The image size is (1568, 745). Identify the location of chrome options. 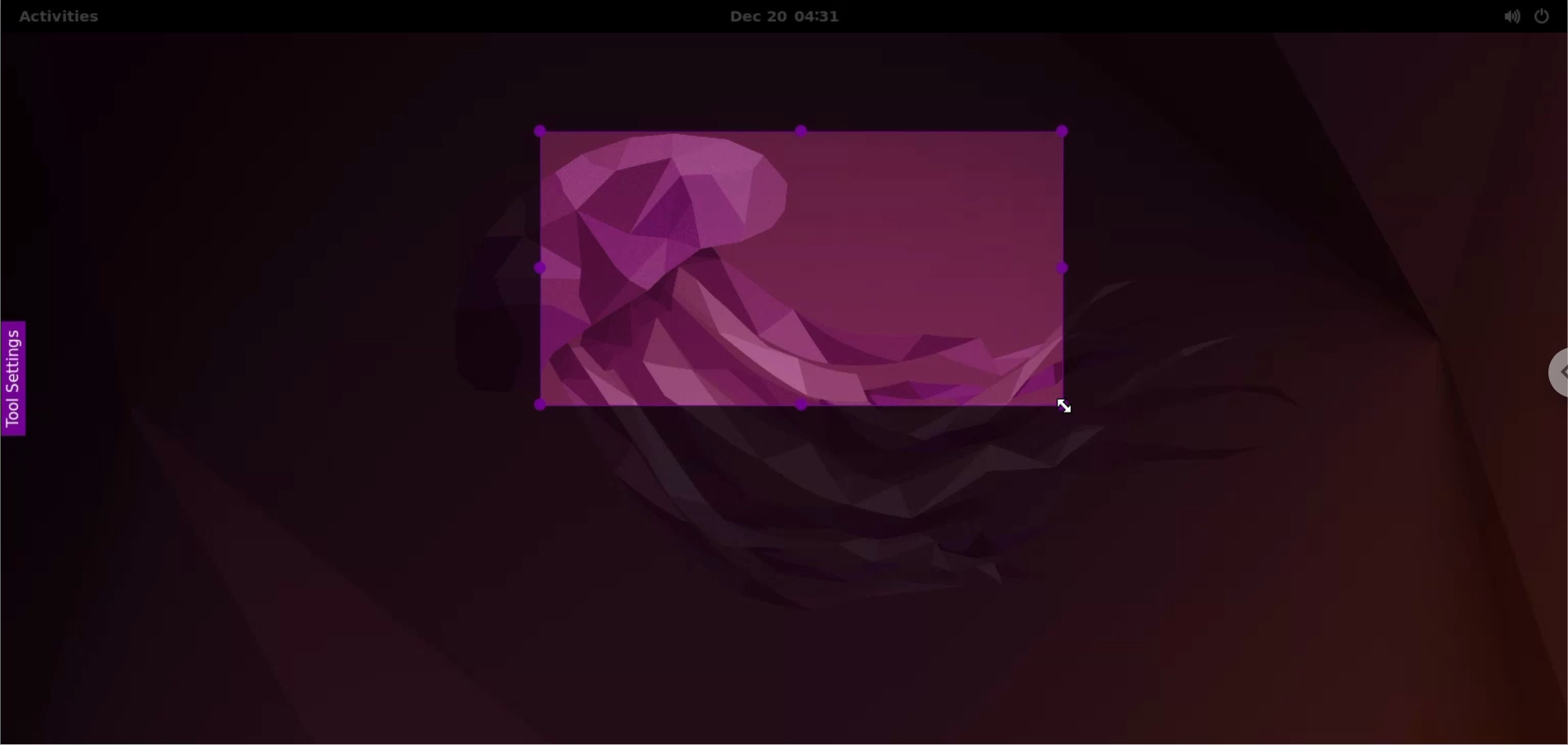
(1555, 373).